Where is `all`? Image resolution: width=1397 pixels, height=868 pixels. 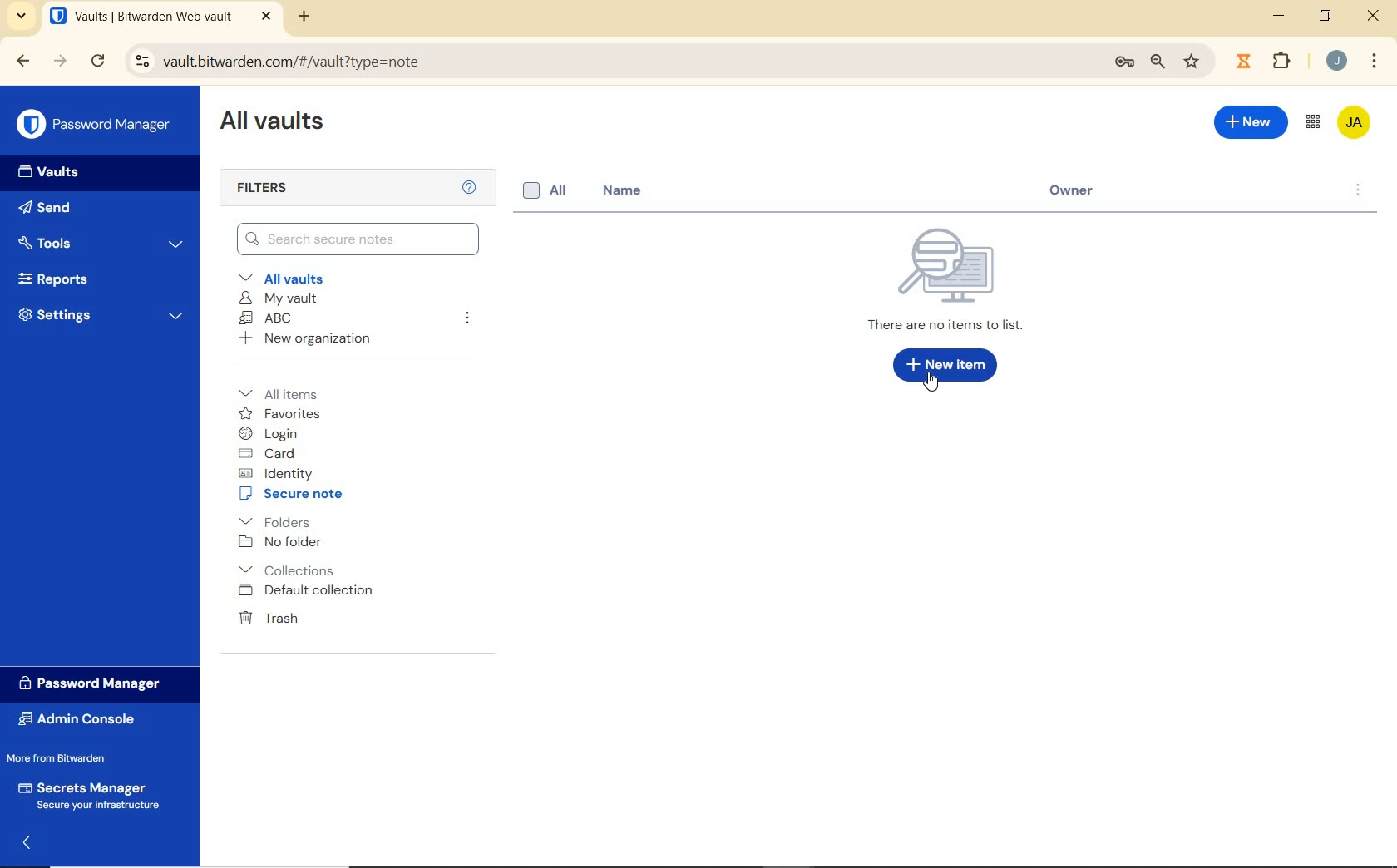 all is located at coordinates (540, 190).